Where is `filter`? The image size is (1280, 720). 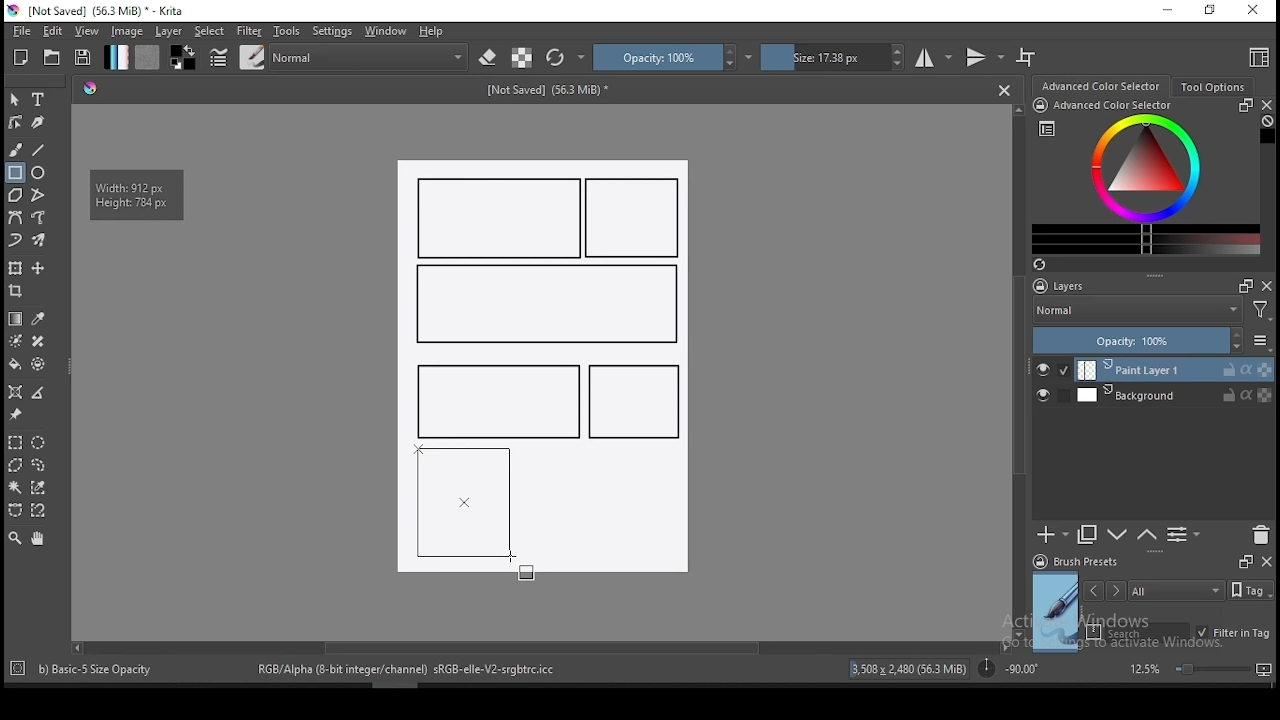 filter is located at coordinates (248, 31).